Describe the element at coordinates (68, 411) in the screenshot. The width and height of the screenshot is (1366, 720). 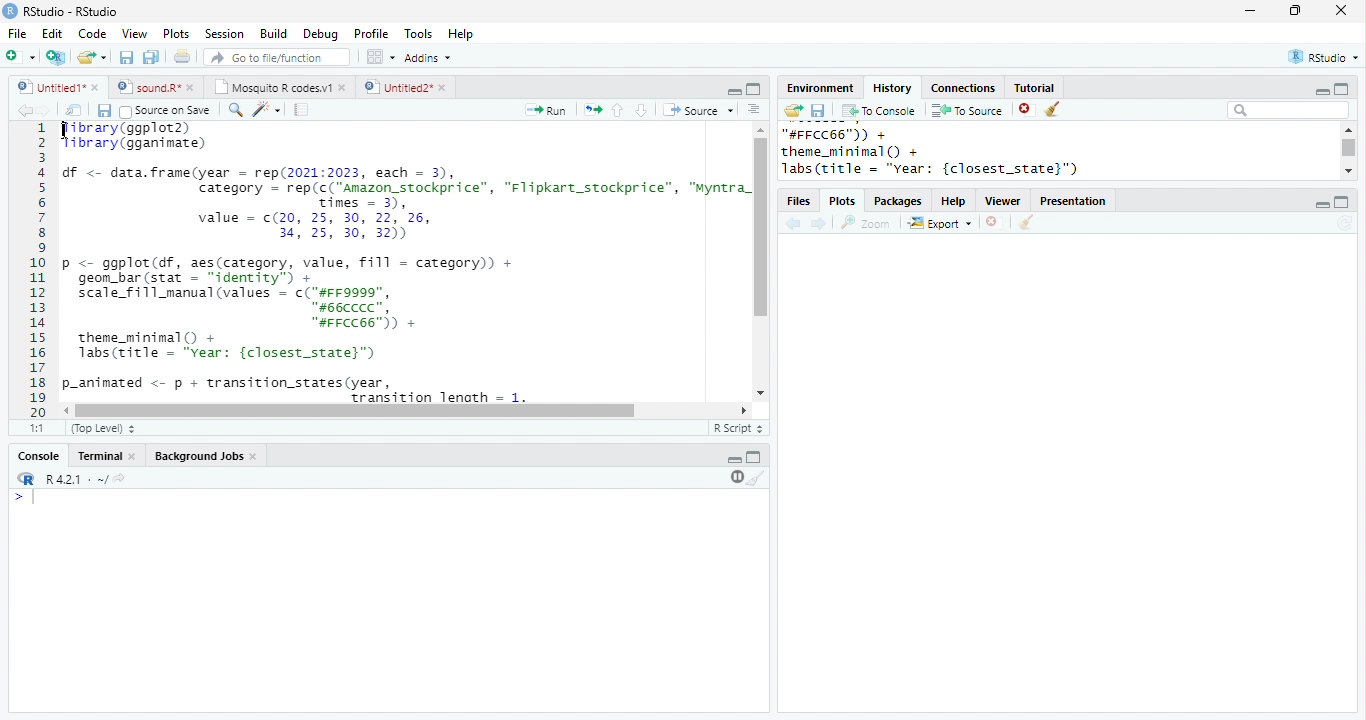
I see `scroll right` at that location.